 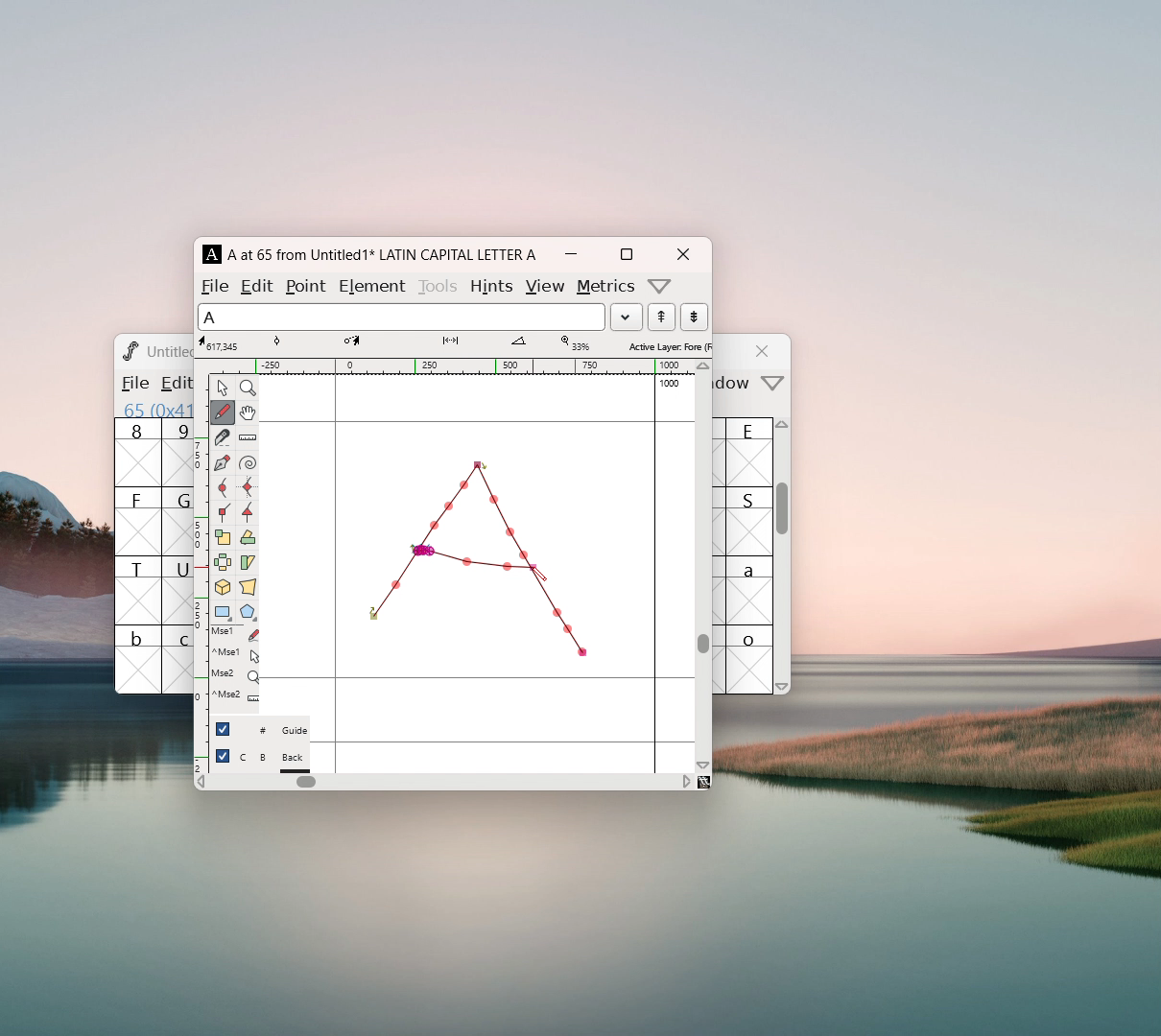 What do you see at coordinates (490, 286) in the screenshot?
I see `hints` at bounding box center [490, 286].